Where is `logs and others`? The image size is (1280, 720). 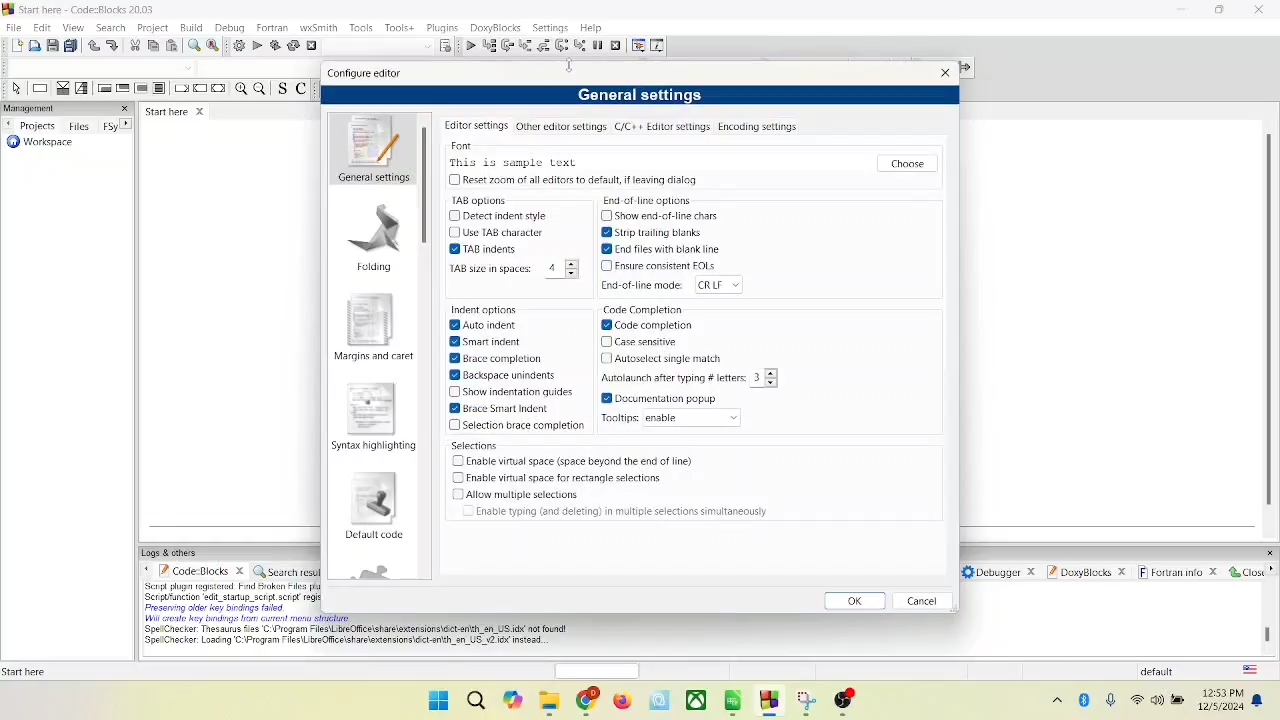
logs and others is located at coordinates (175, 553).